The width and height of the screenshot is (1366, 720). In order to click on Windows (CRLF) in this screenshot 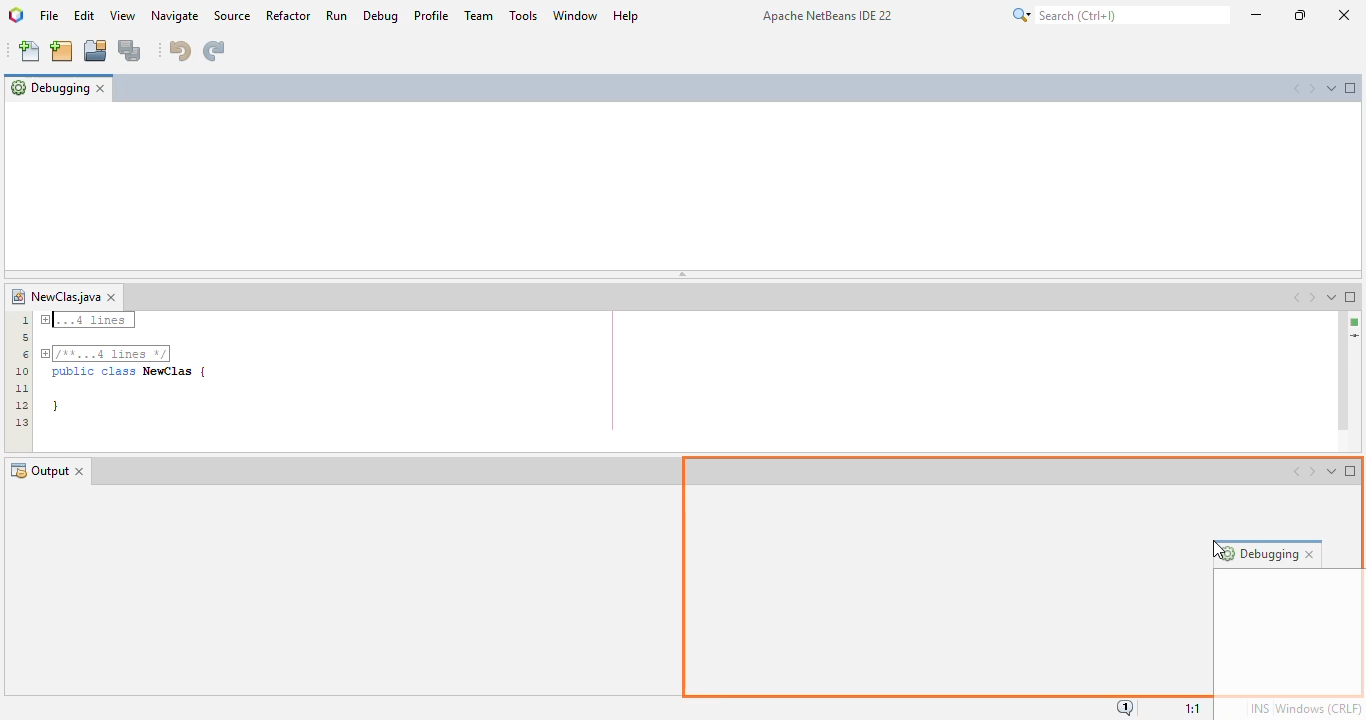, I will do `click(1319, 706)`.